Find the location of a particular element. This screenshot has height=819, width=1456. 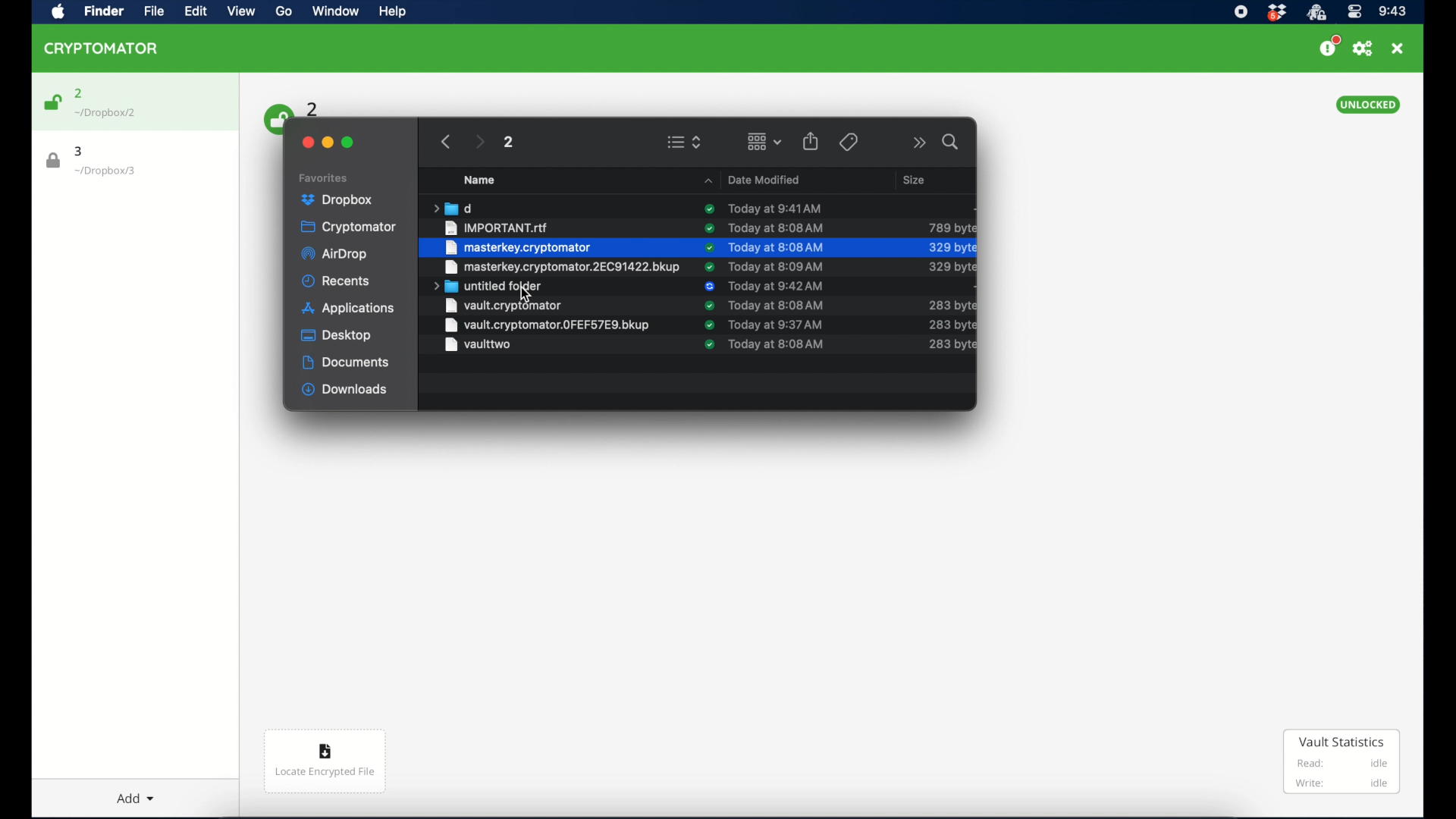

more options is located at coordinates (920, 143).